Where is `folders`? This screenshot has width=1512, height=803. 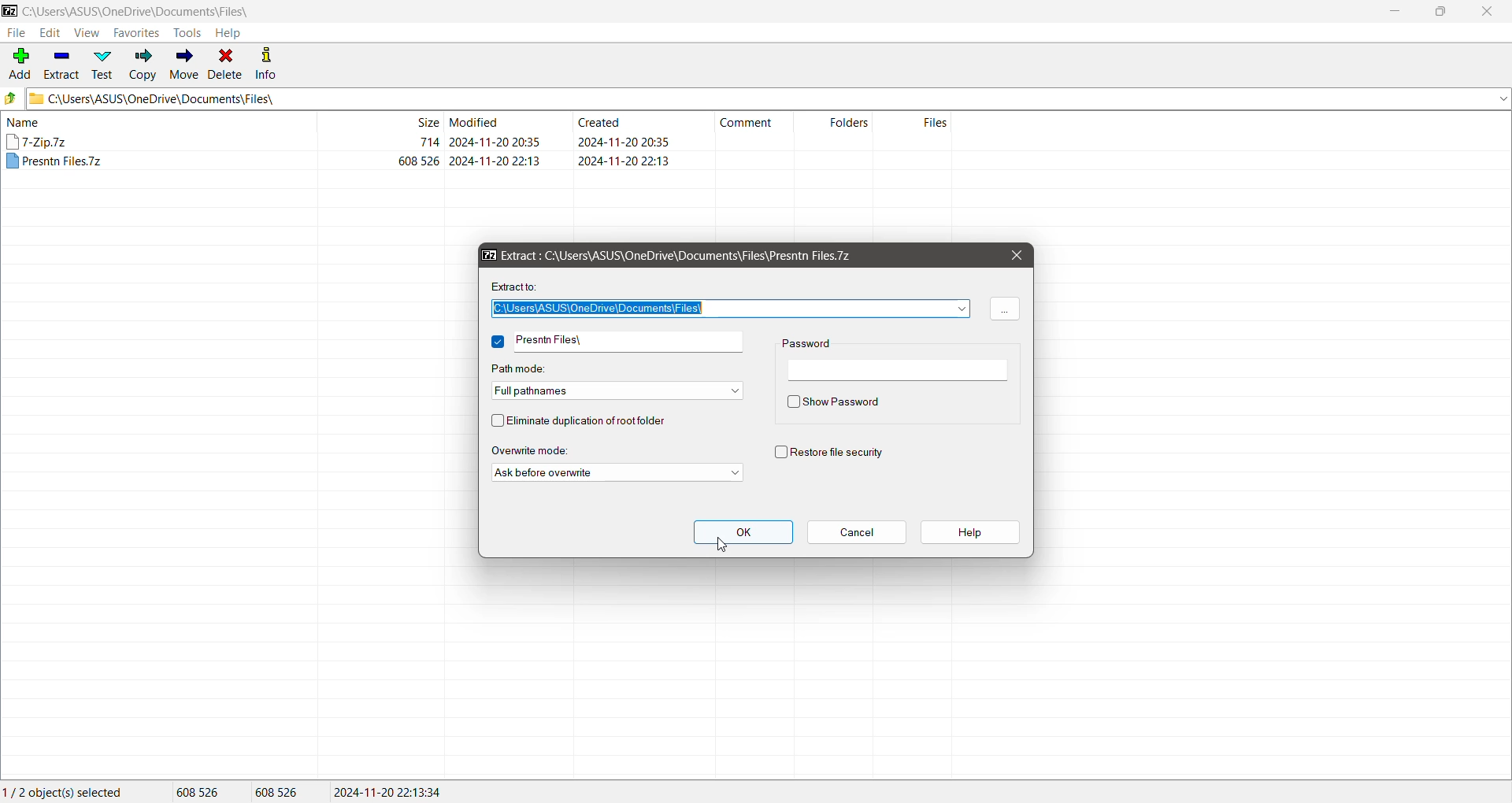 folders is located at coordinates (849, 121).